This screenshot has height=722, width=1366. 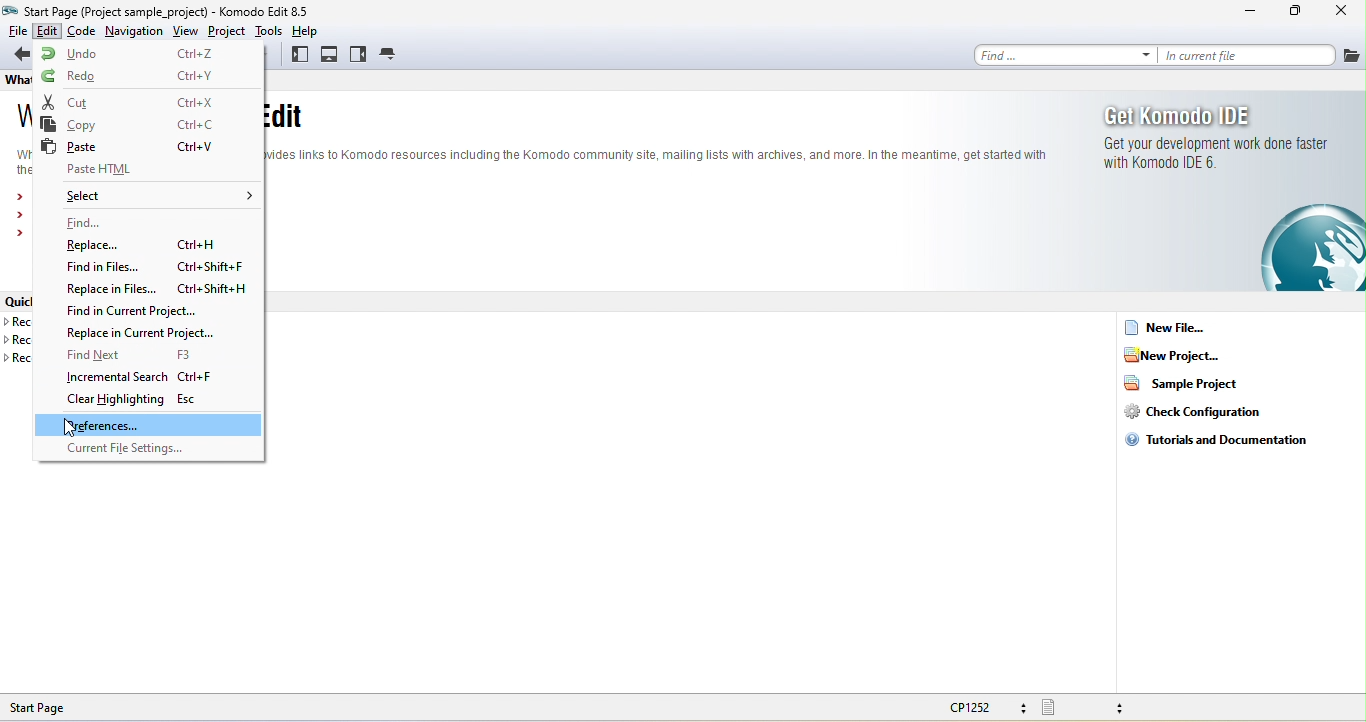 What do you see at coordinates (1223, 438) in the screenshot?
I see `tutorials and documentation` at bounding box center [1223, 438].